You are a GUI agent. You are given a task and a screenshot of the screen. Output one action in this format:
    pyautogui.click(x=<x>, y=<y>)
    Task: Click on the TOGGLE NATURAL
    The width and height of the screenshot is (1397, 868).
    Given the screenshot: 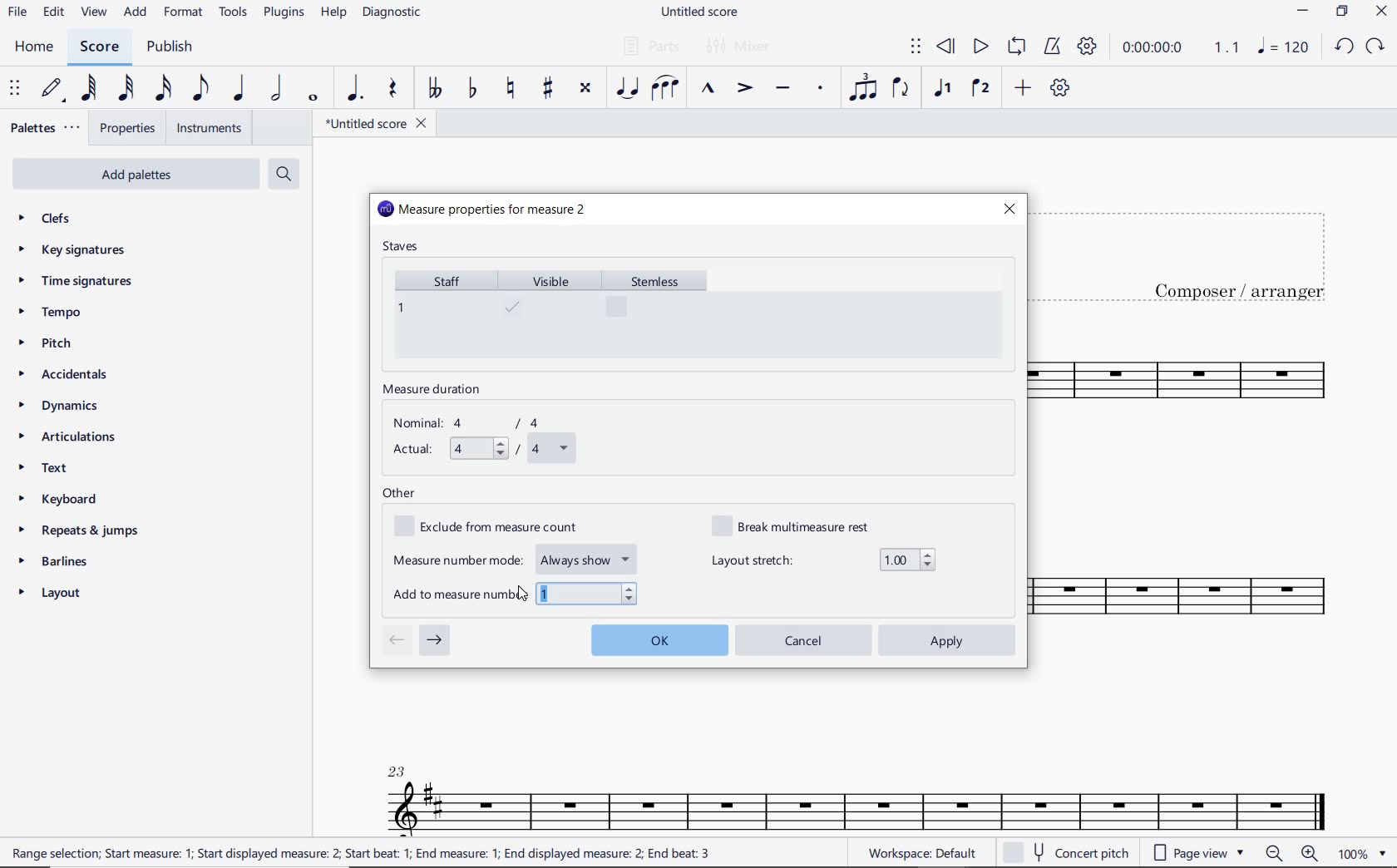 What is the action you would take?
    pyautogui.click(x=513, y=89)
    